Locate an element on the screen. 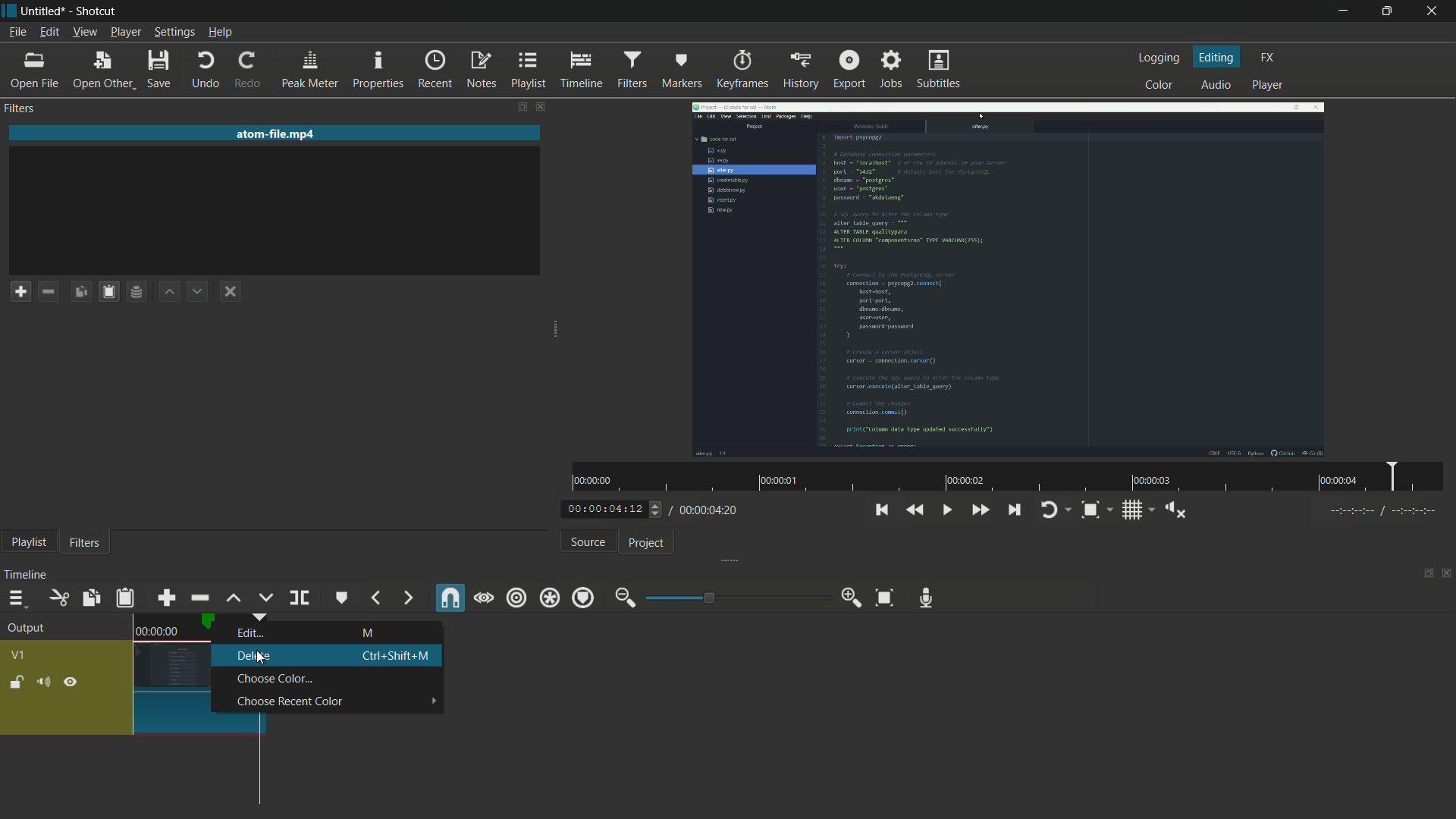  previous marker is located at coordinates (377, 598).